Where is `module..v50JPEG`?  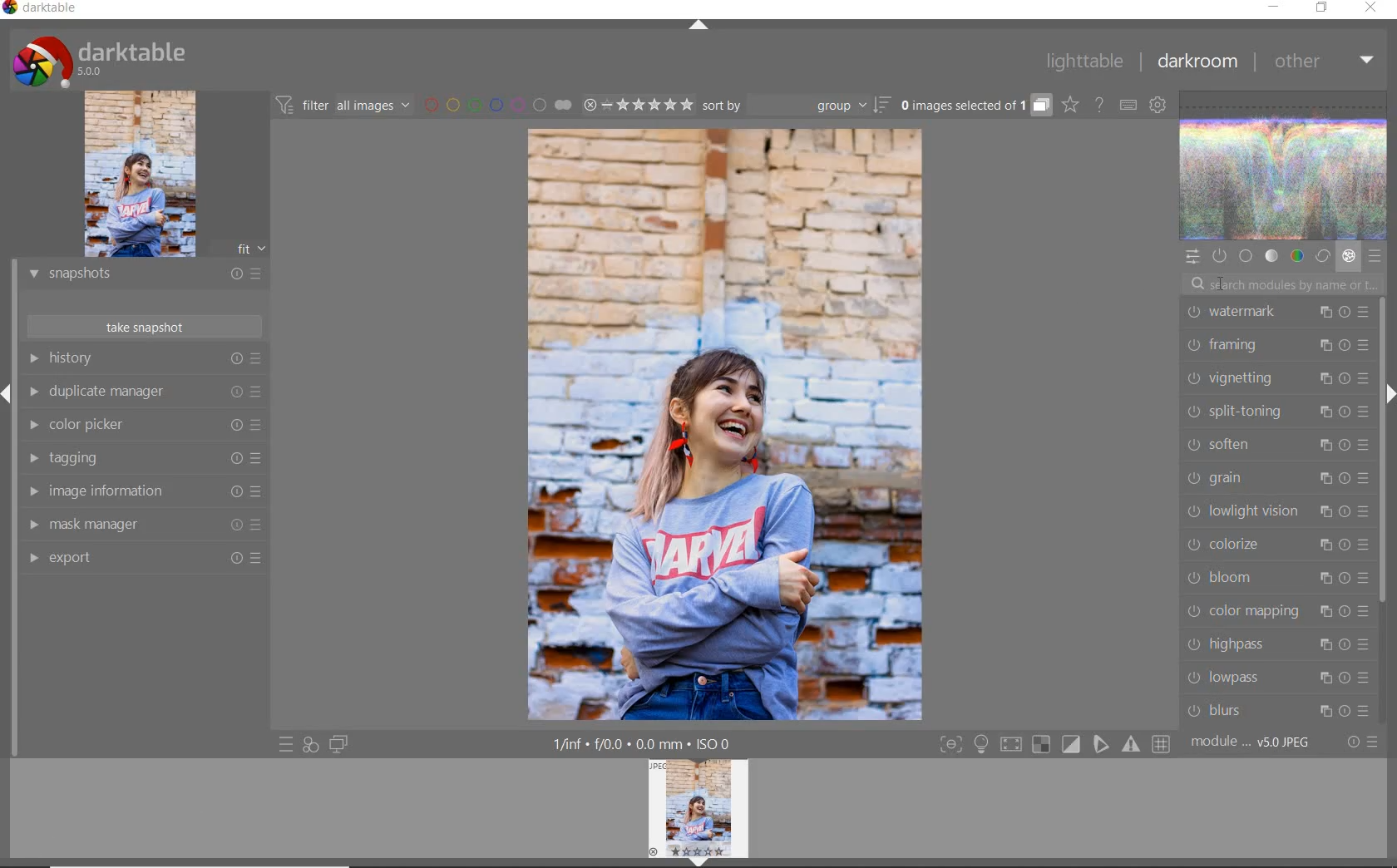 module..v50JPEG is located at coordinates (1253, 743).